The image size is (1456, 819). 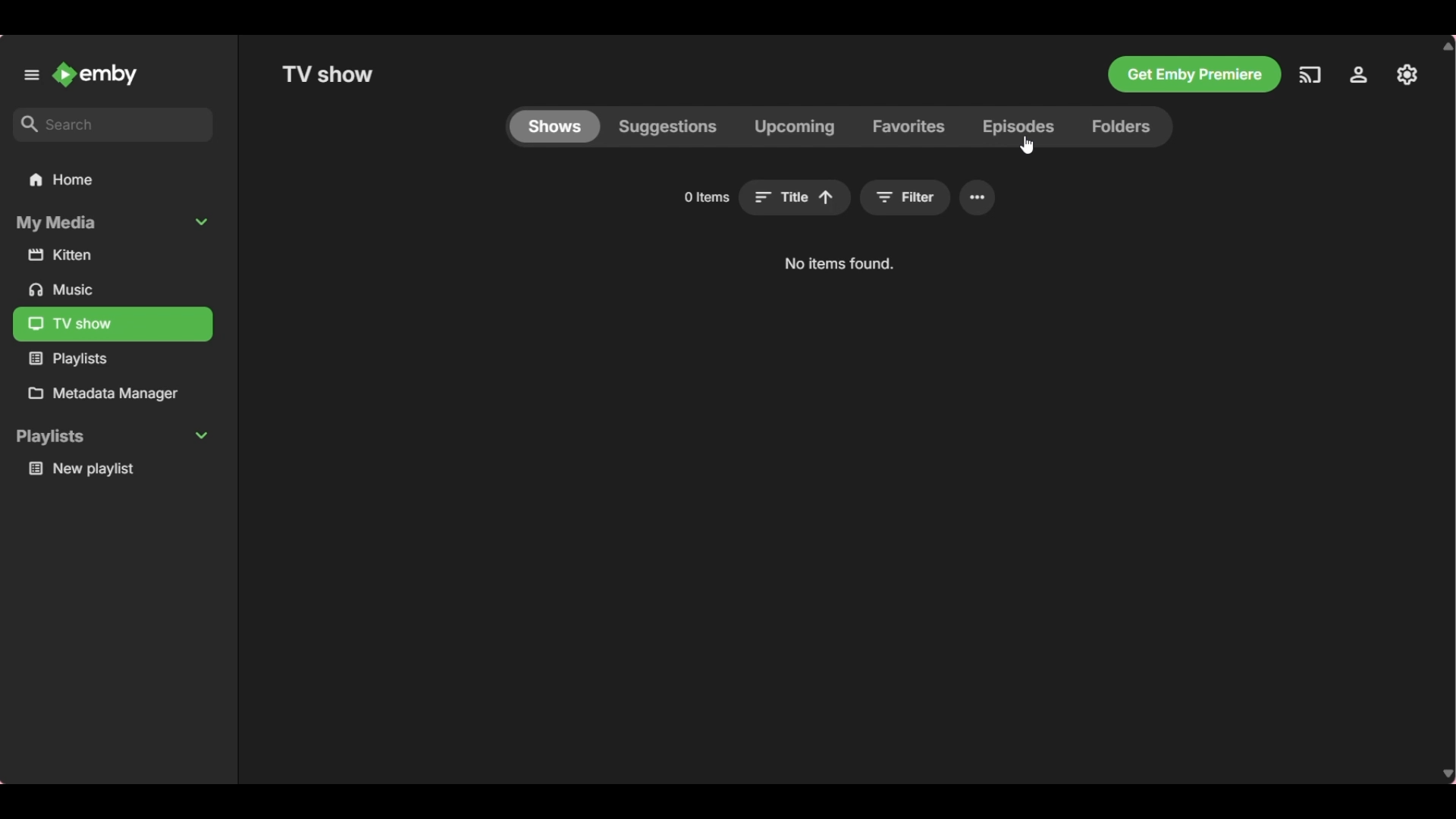 What do you see at coordinates (115, 257) in the screenshot?
I see `Media files under My Media` at bounding box center [115, 257].